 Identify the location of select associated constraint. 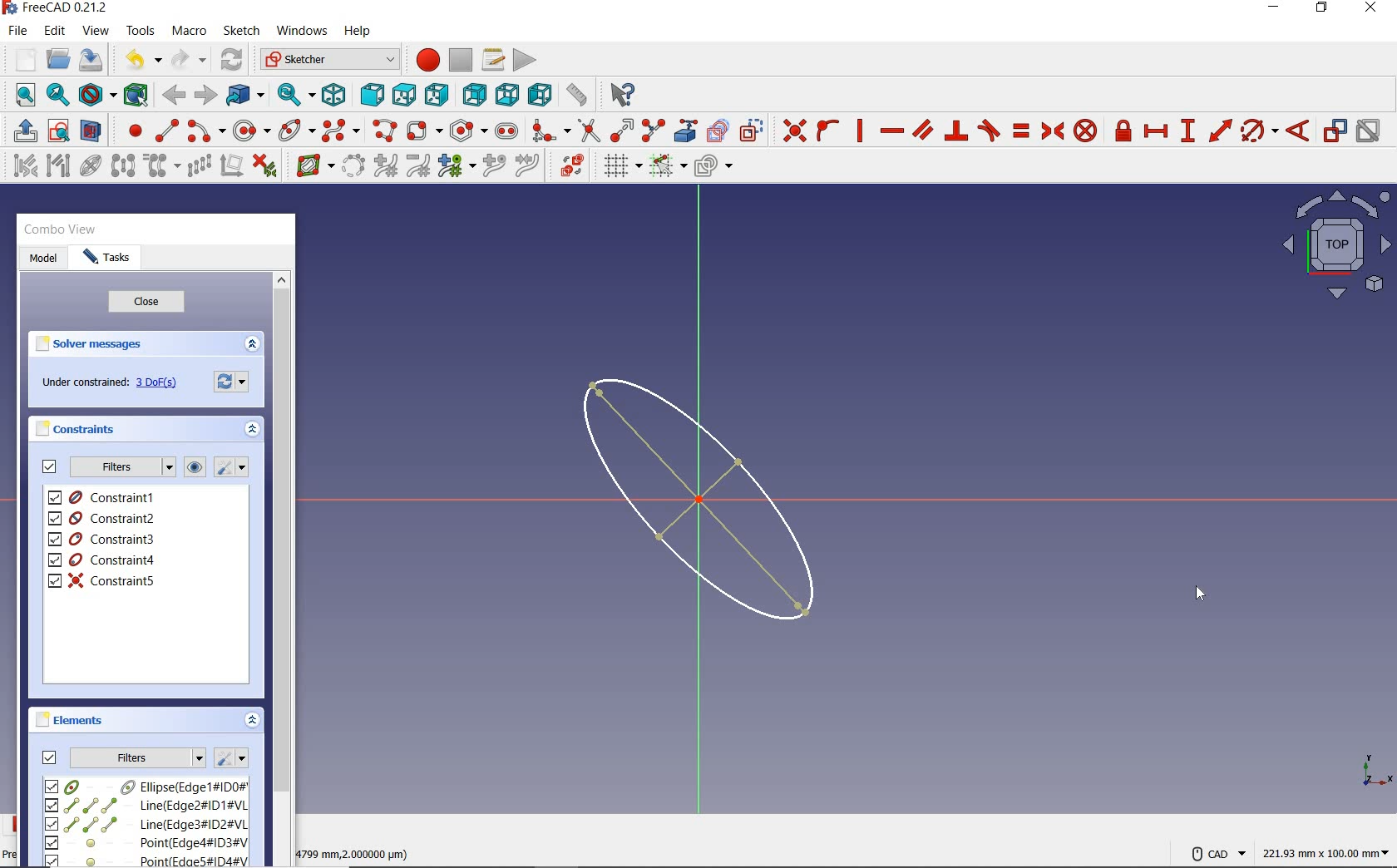
(21, 165).